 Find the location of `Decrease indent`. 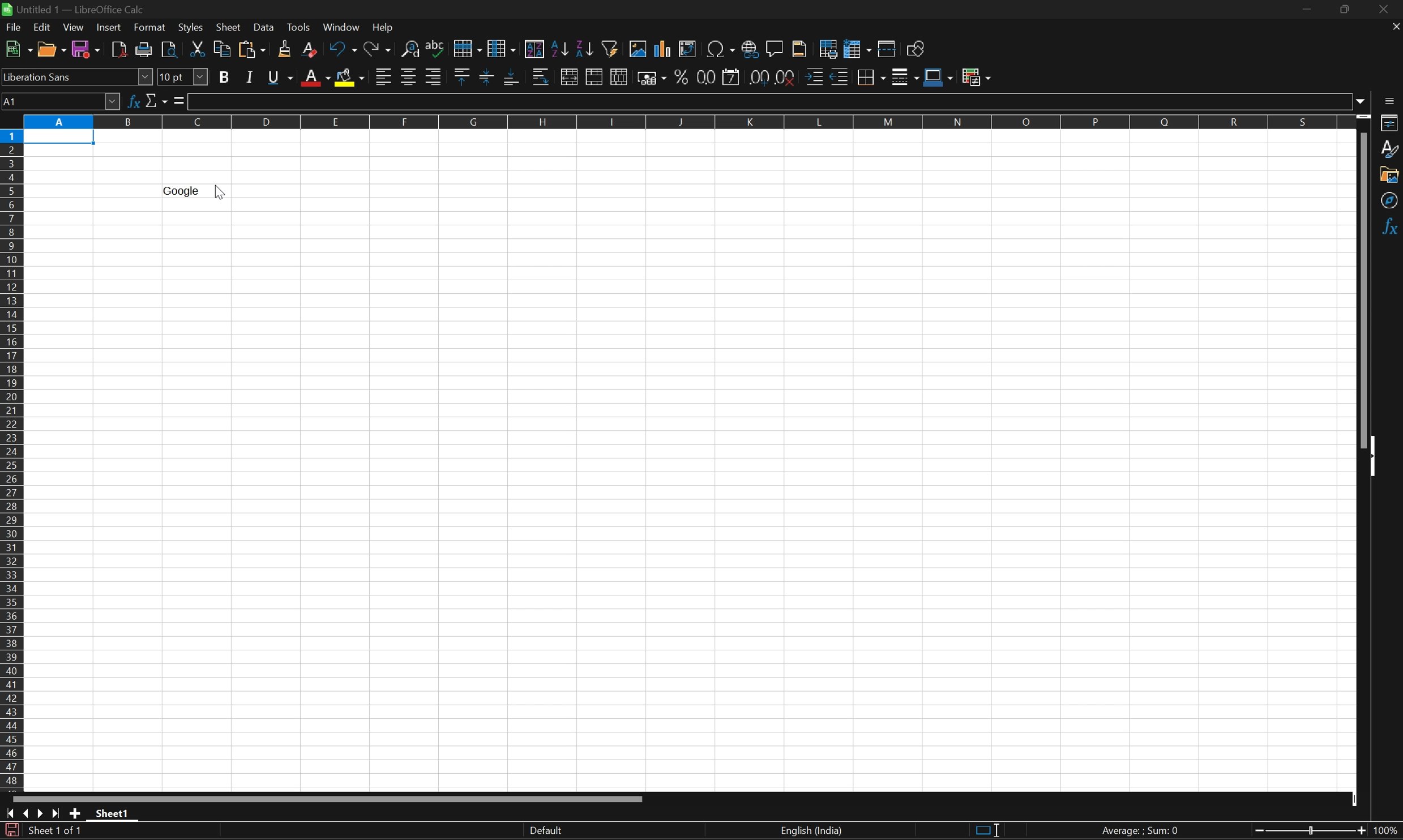

Decrease indent is located at coordinates (840, 76).